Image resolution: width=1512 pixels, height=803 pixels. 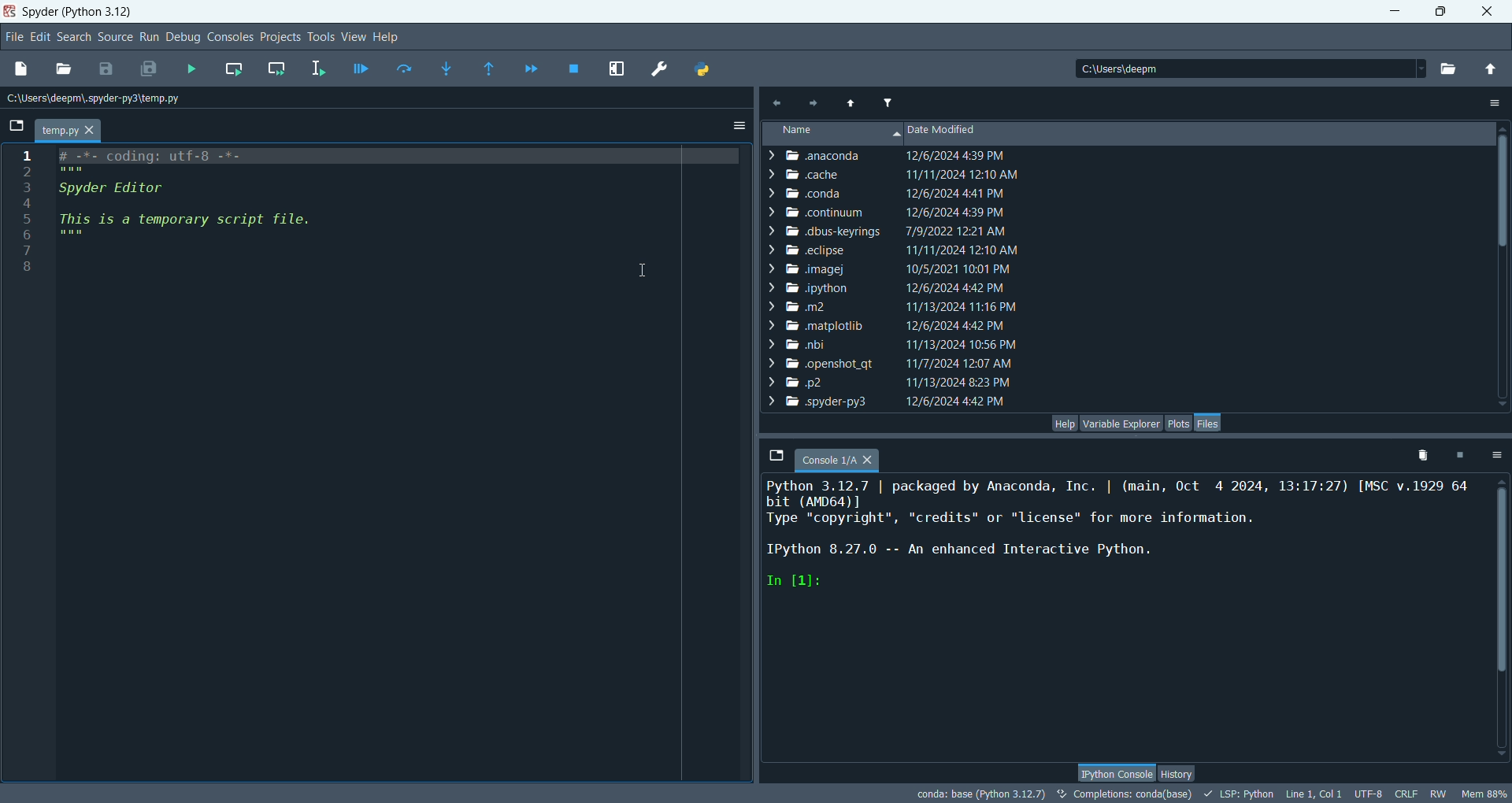 What do you see at coordinates (852, 101) in the screenshot?
I see `parent` at bounding box center [852, 101].